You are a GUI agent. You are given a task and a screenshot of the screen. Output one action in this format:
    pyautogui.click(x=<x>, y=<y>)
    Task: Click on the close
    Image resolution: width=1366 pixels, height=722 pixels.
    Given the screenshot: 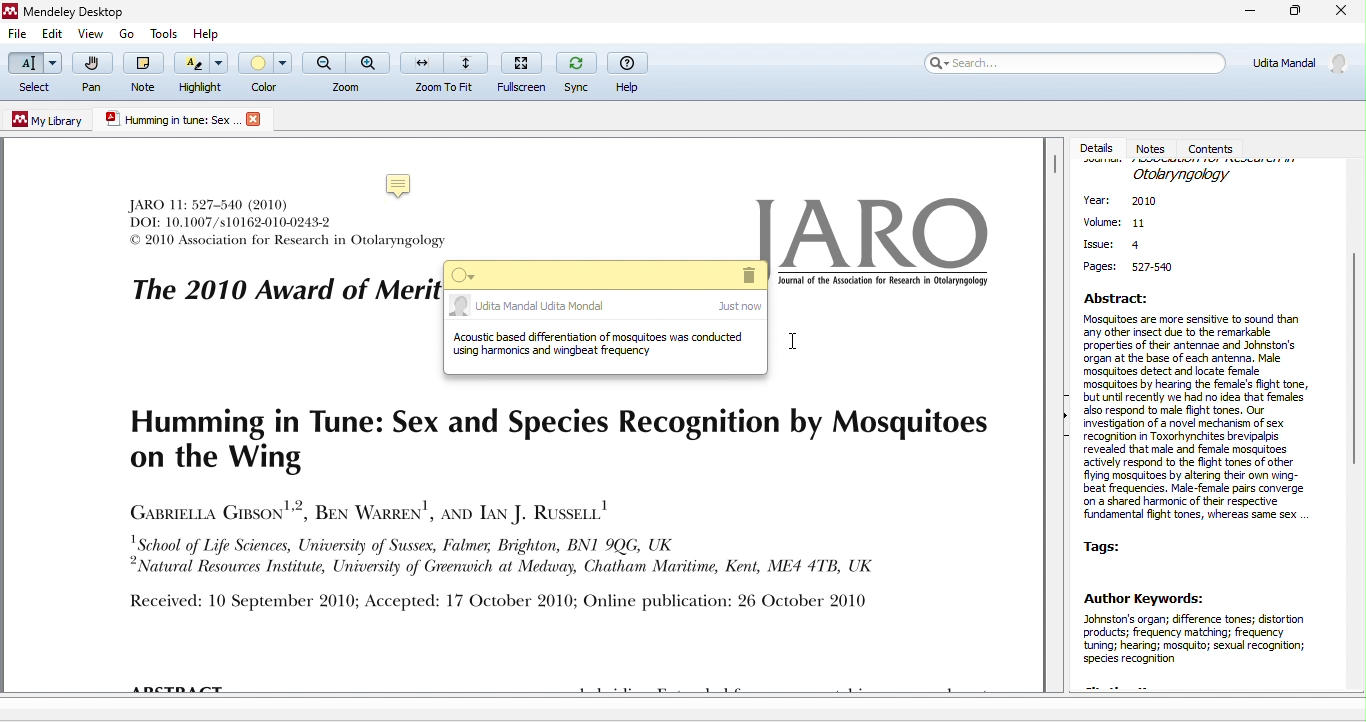 What is the action you would take?
    pyautogui.click(x=256, y=119)
    